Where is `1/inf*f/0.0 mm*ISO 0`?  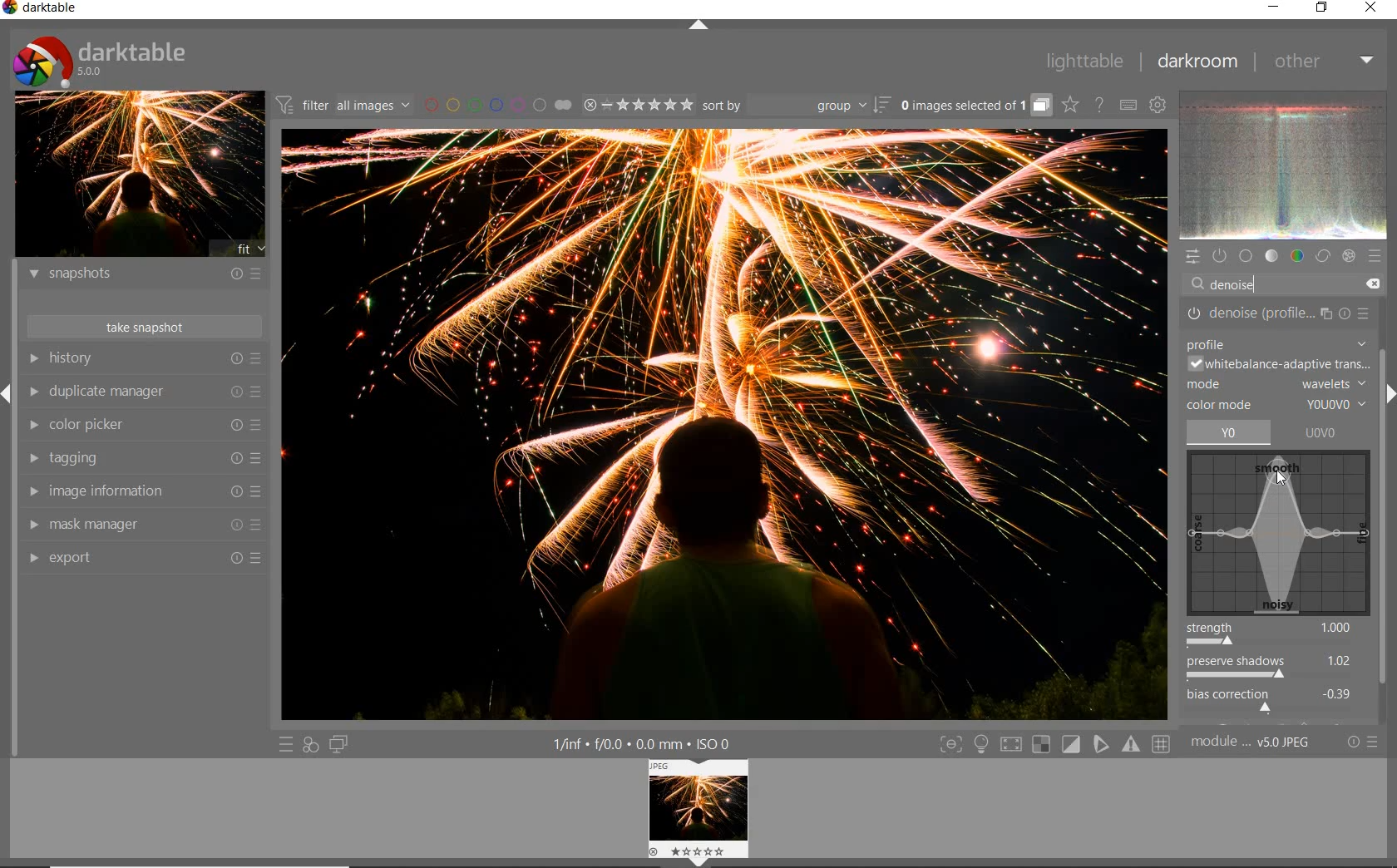 1/inf*f/0.0 mm*ISO 0 is located at coordinates (653, 744).